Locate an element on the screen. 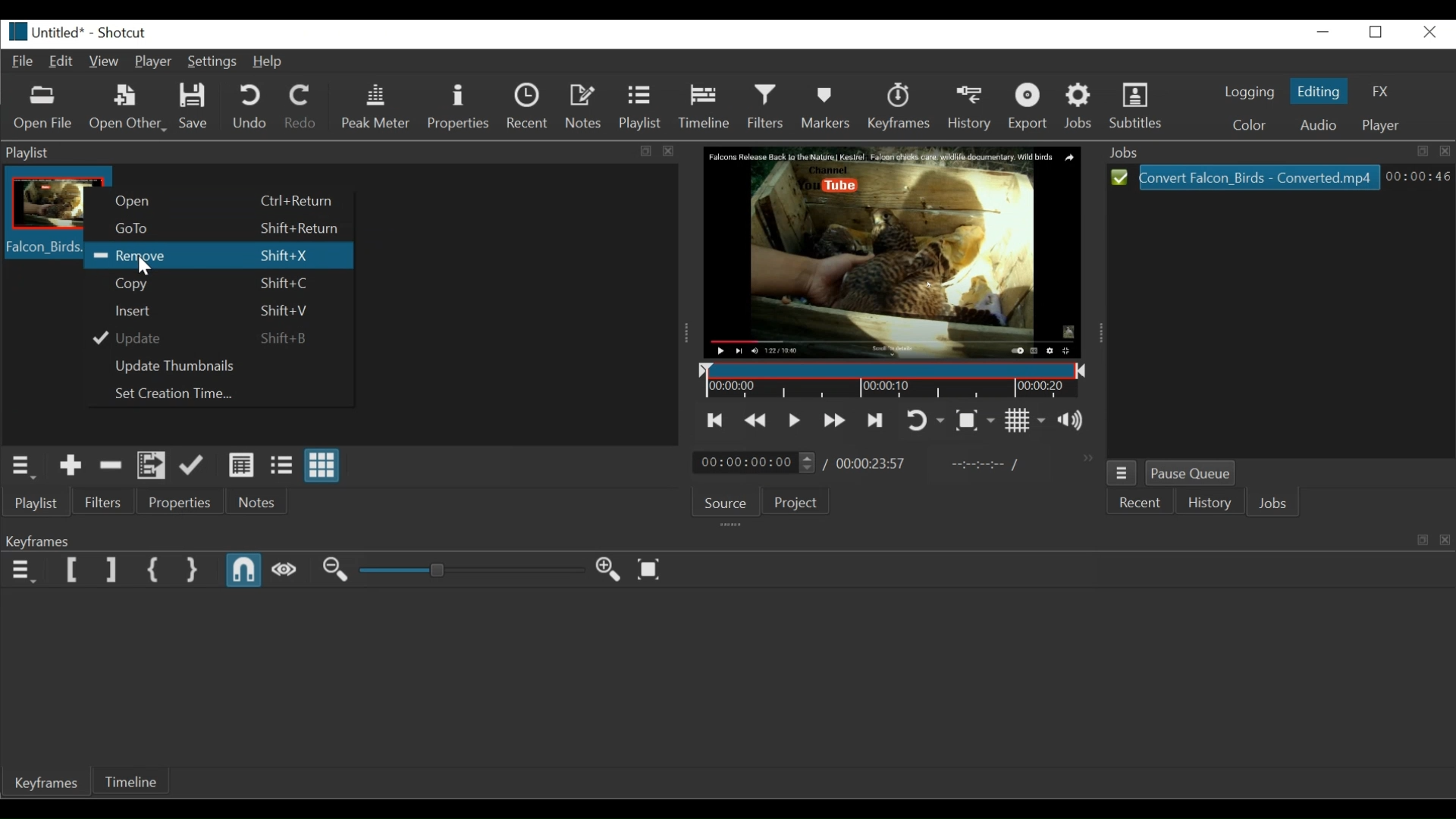 The height and width of the screenshot is (819, 1456). View as details is located at coordinates (242, 467).